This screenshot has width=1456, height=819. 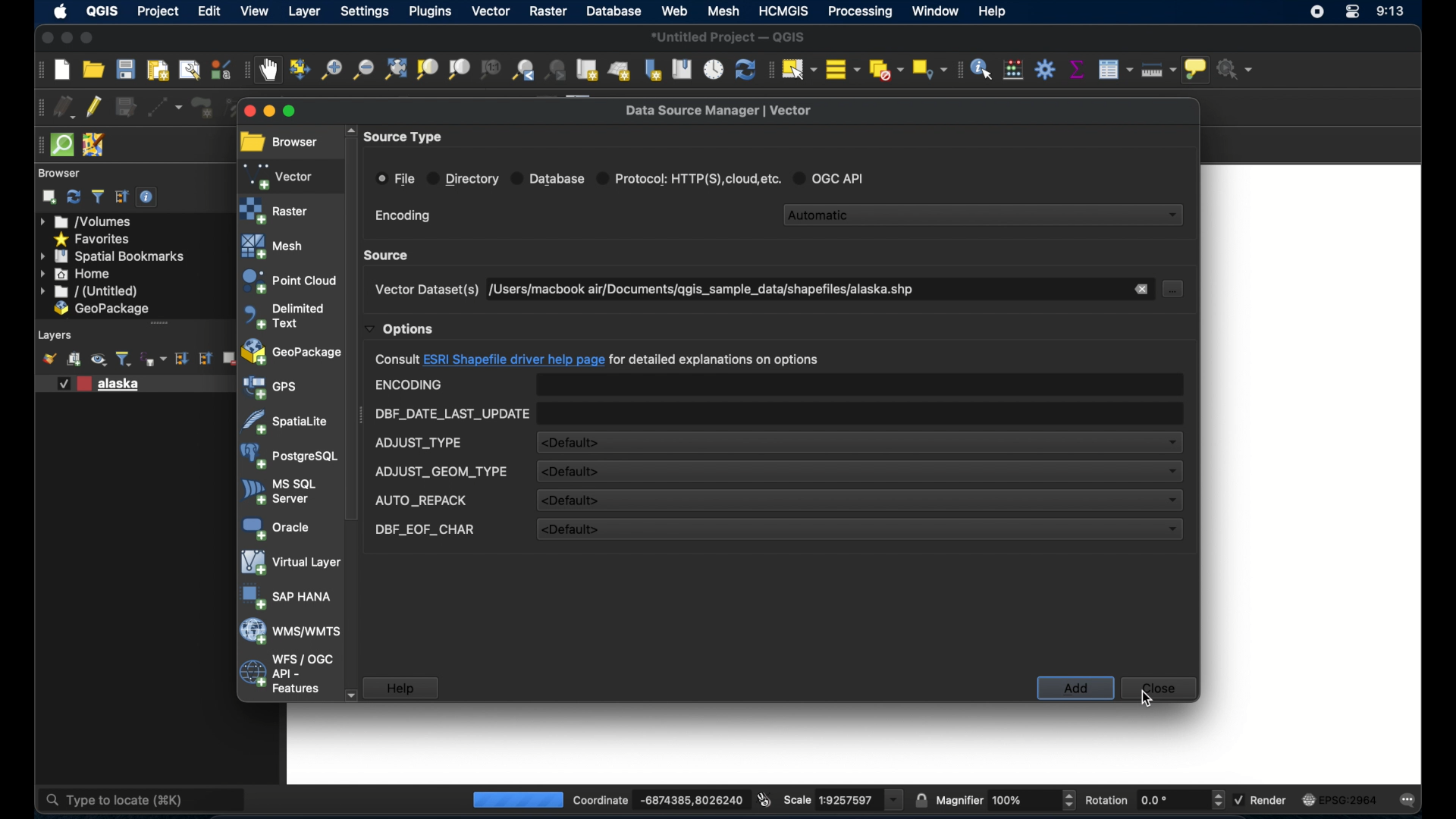 I want to click on scroll up arrow, so click(x=348, y=128).